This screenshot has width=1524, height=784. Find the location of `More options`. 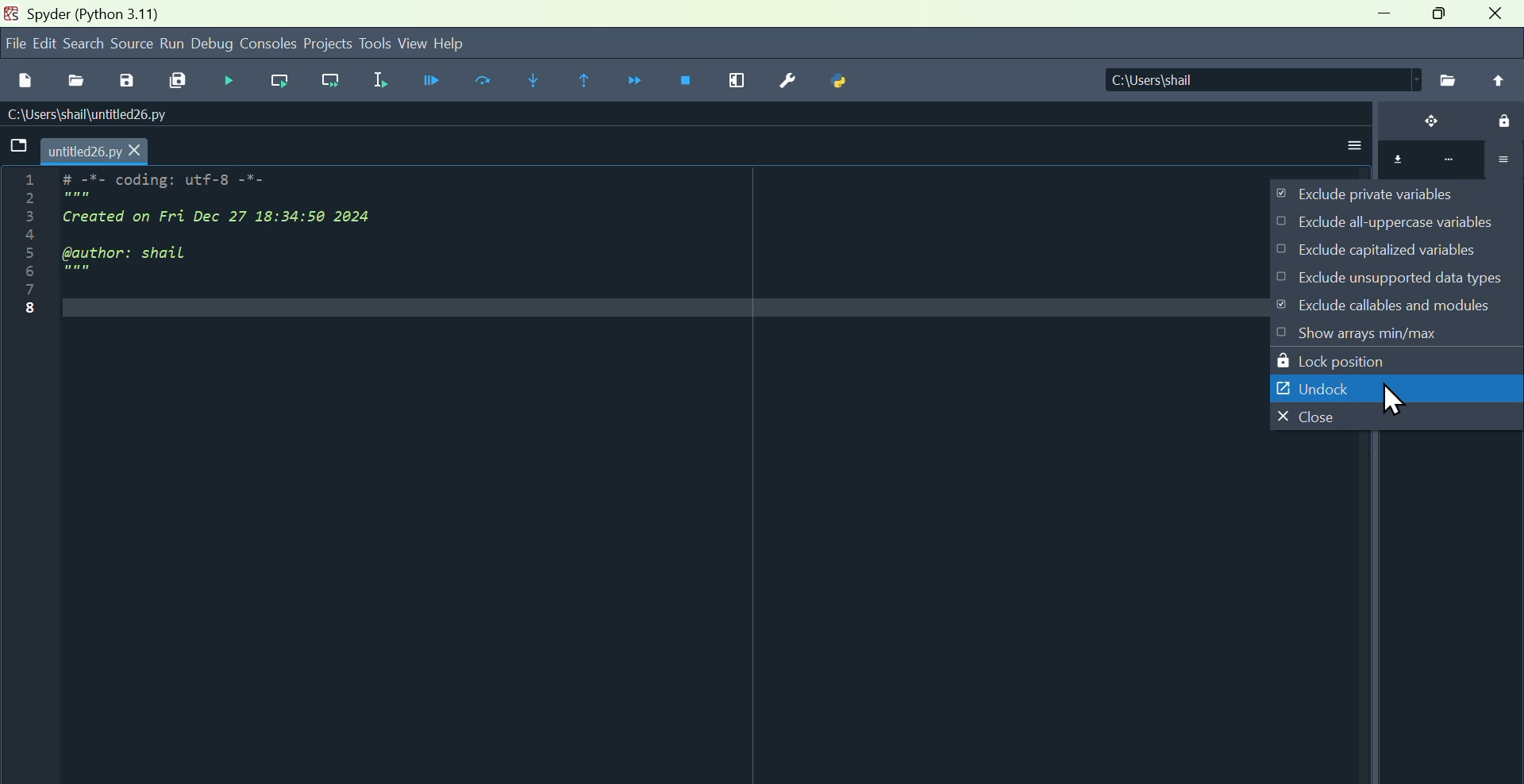

More options is located at coordinates (1350, 140).